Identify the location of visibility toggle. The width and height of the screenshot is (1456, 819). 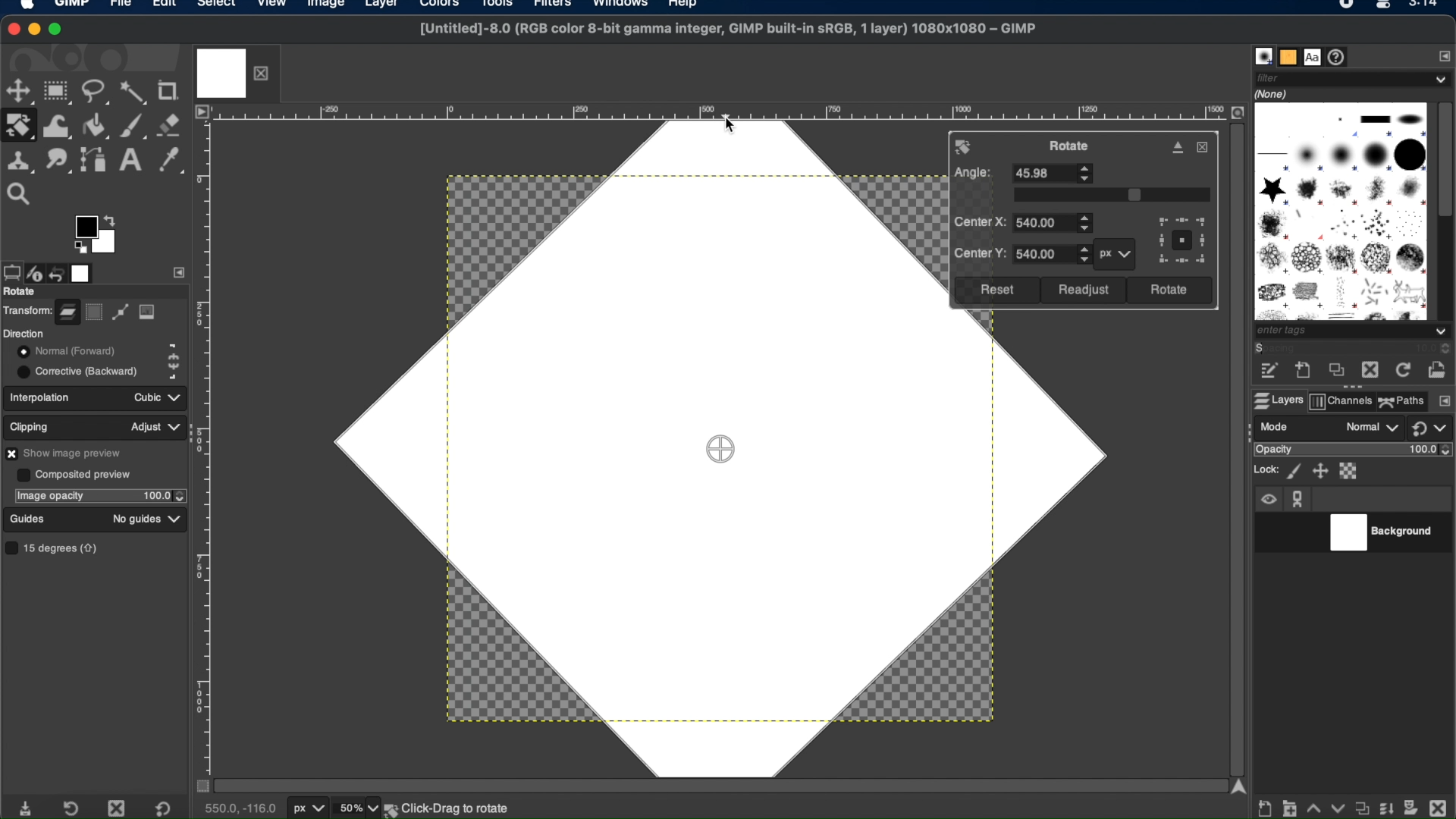
(1270, 532).